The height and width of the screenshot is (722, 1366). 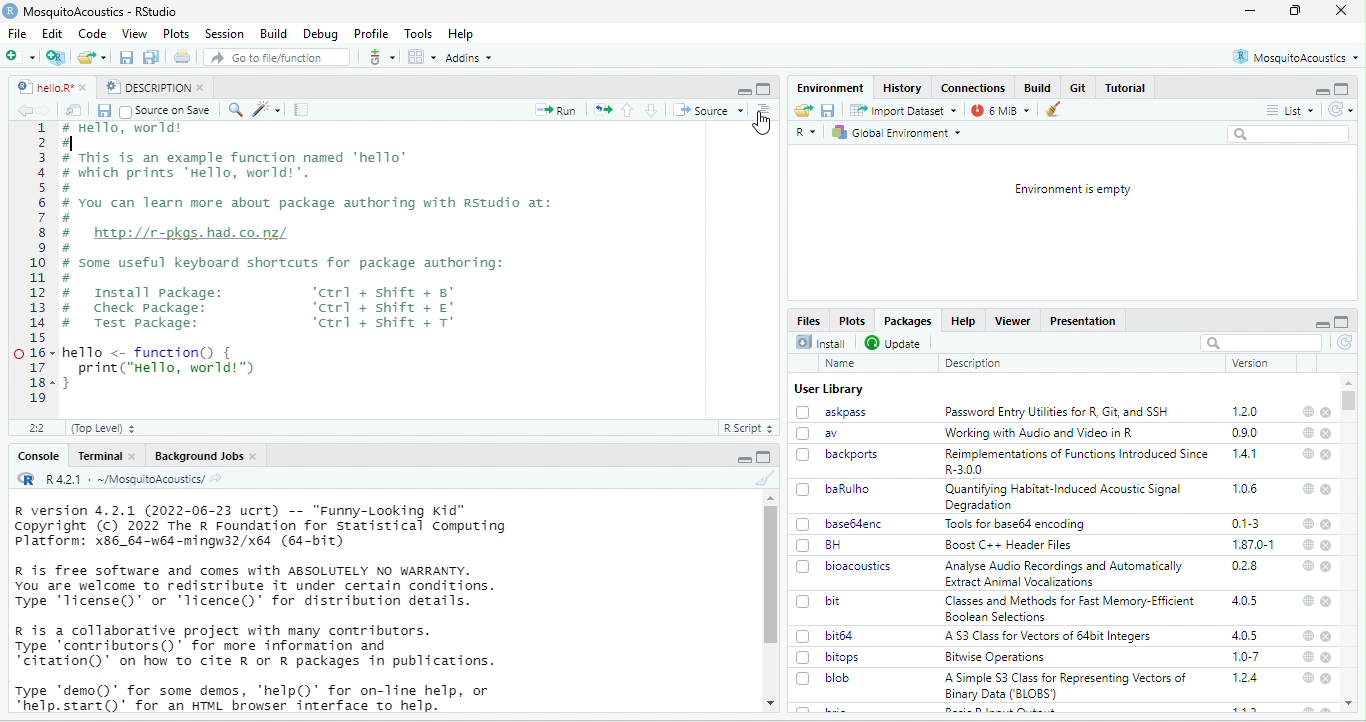 I want to click on 7 MiB, so click(x=1000, y=110).